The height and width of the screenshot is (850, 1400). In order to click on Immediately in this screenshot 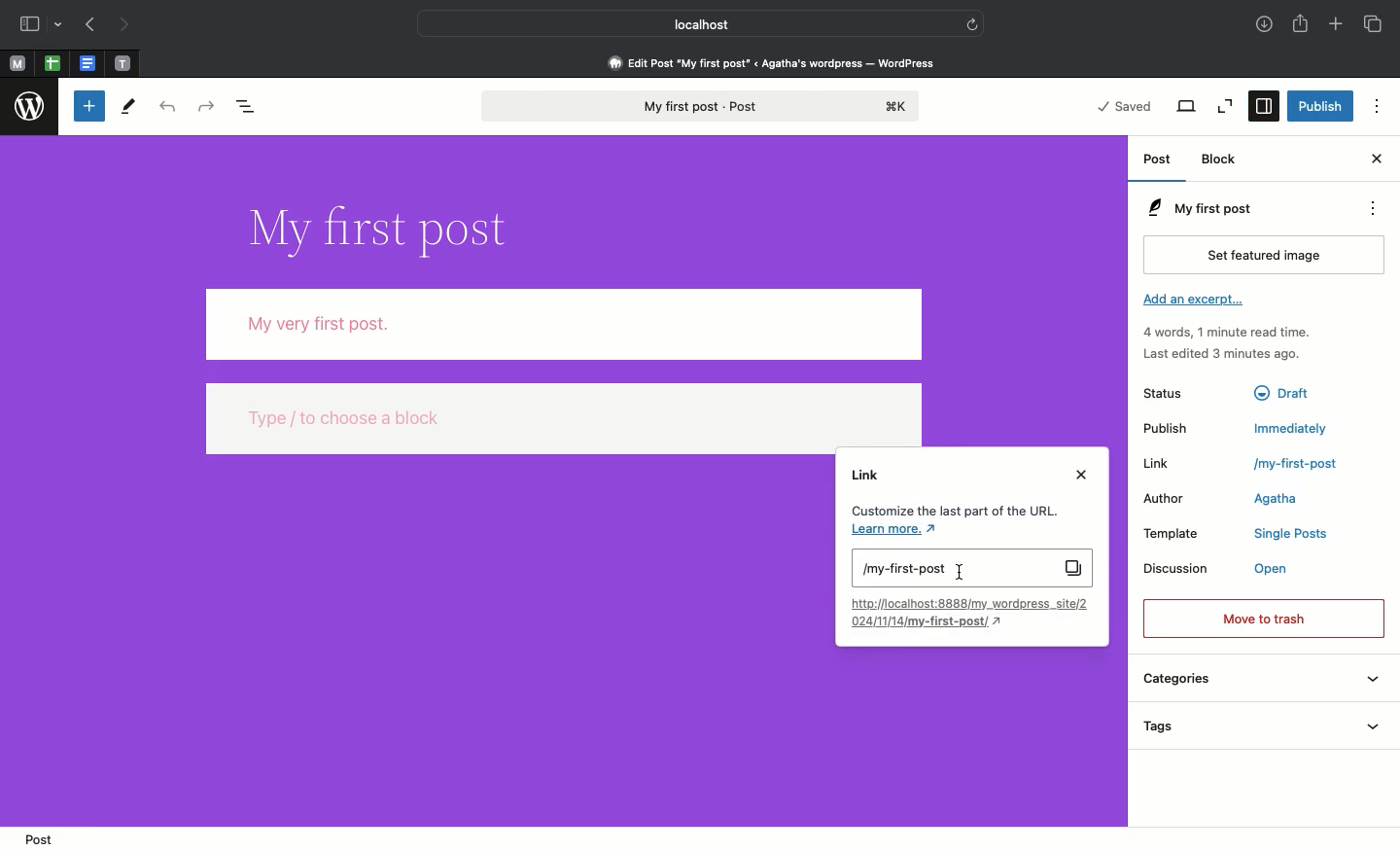, I will do `click(1293, 427)`.